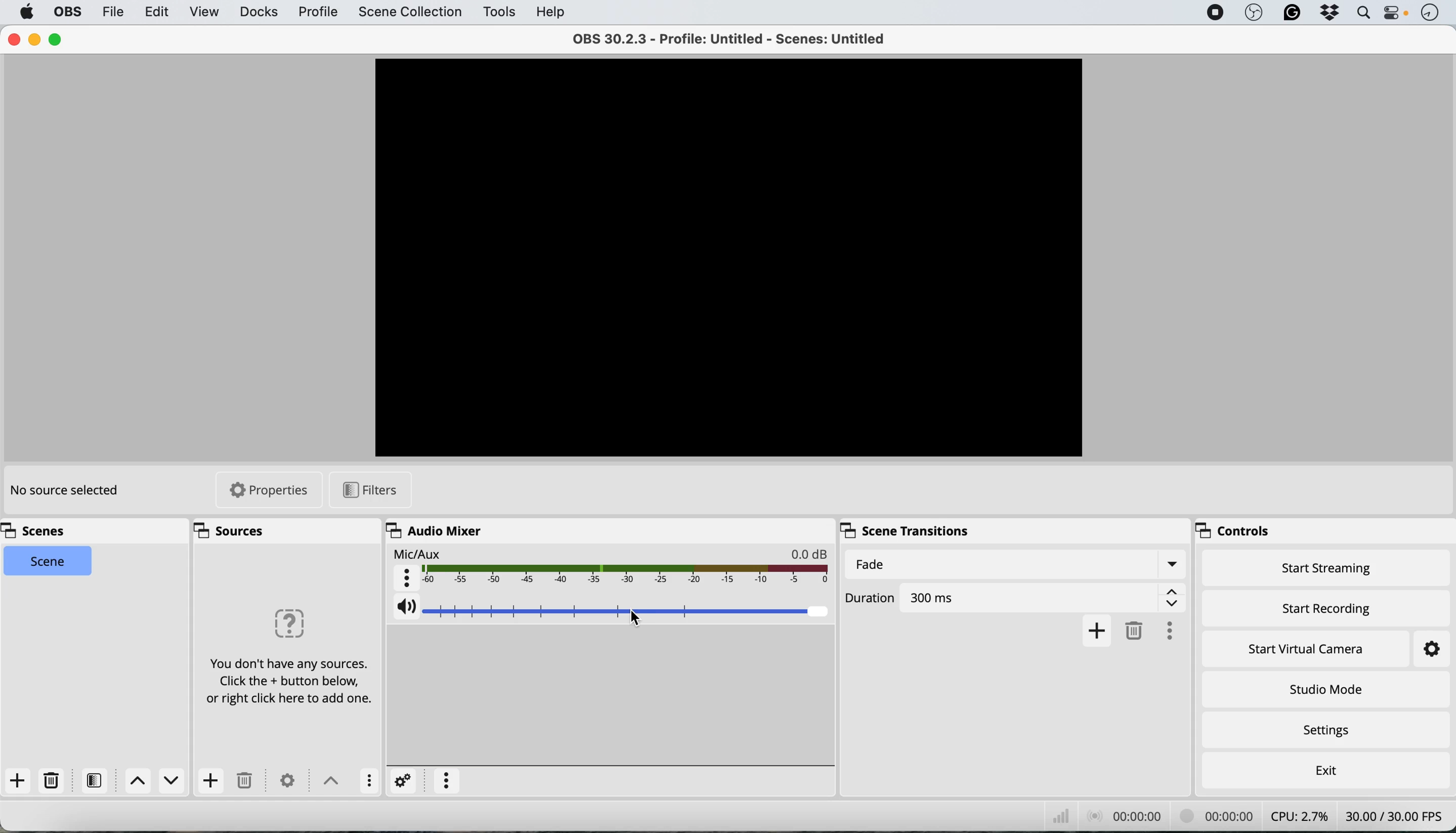  What do you see at coordinates (1133, 632) in the screenshot?
I see `delete fade` at bounding box center [1133, 632].